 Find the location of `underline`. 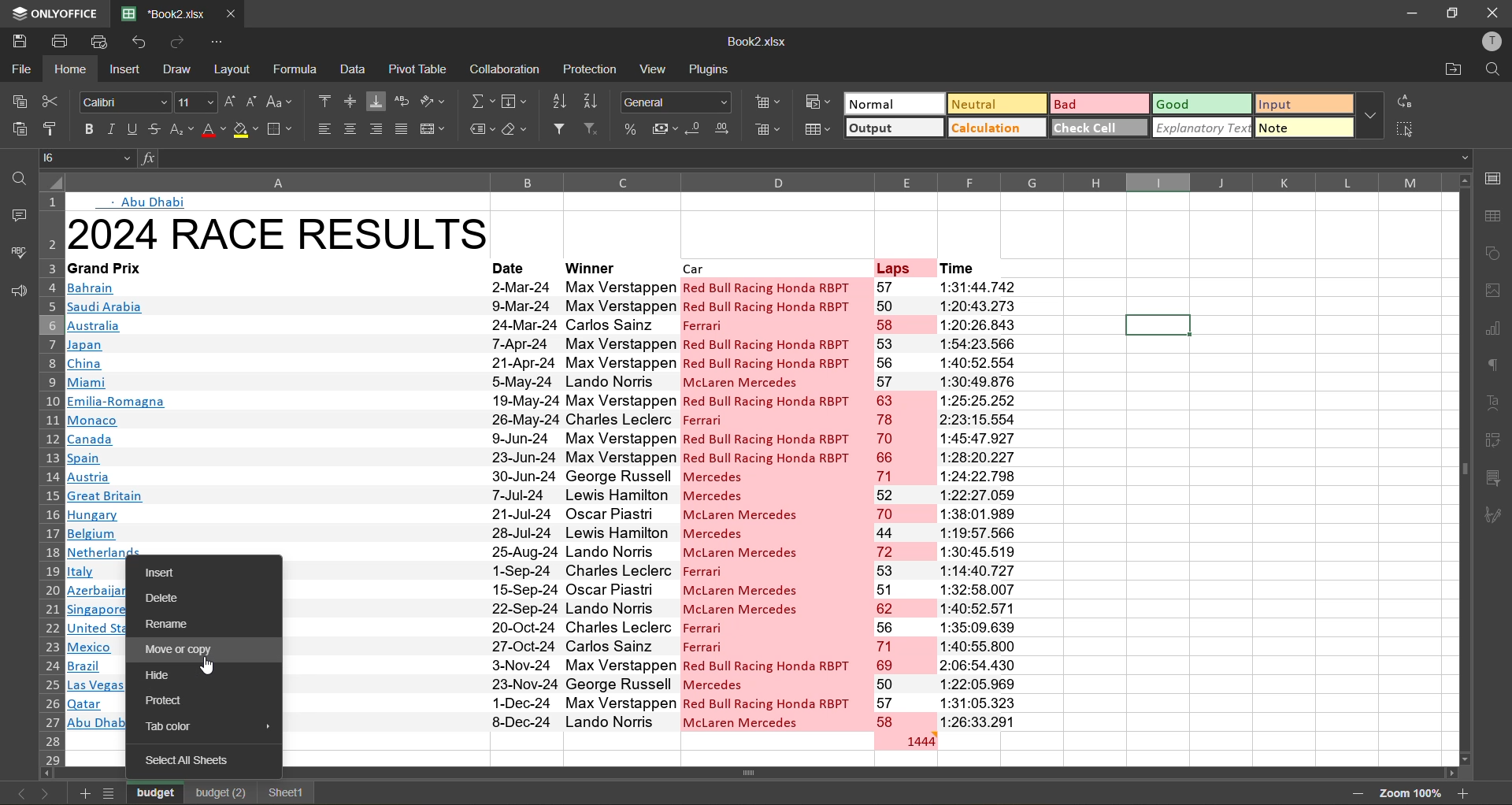

underline is located at coordinates (132, 132).